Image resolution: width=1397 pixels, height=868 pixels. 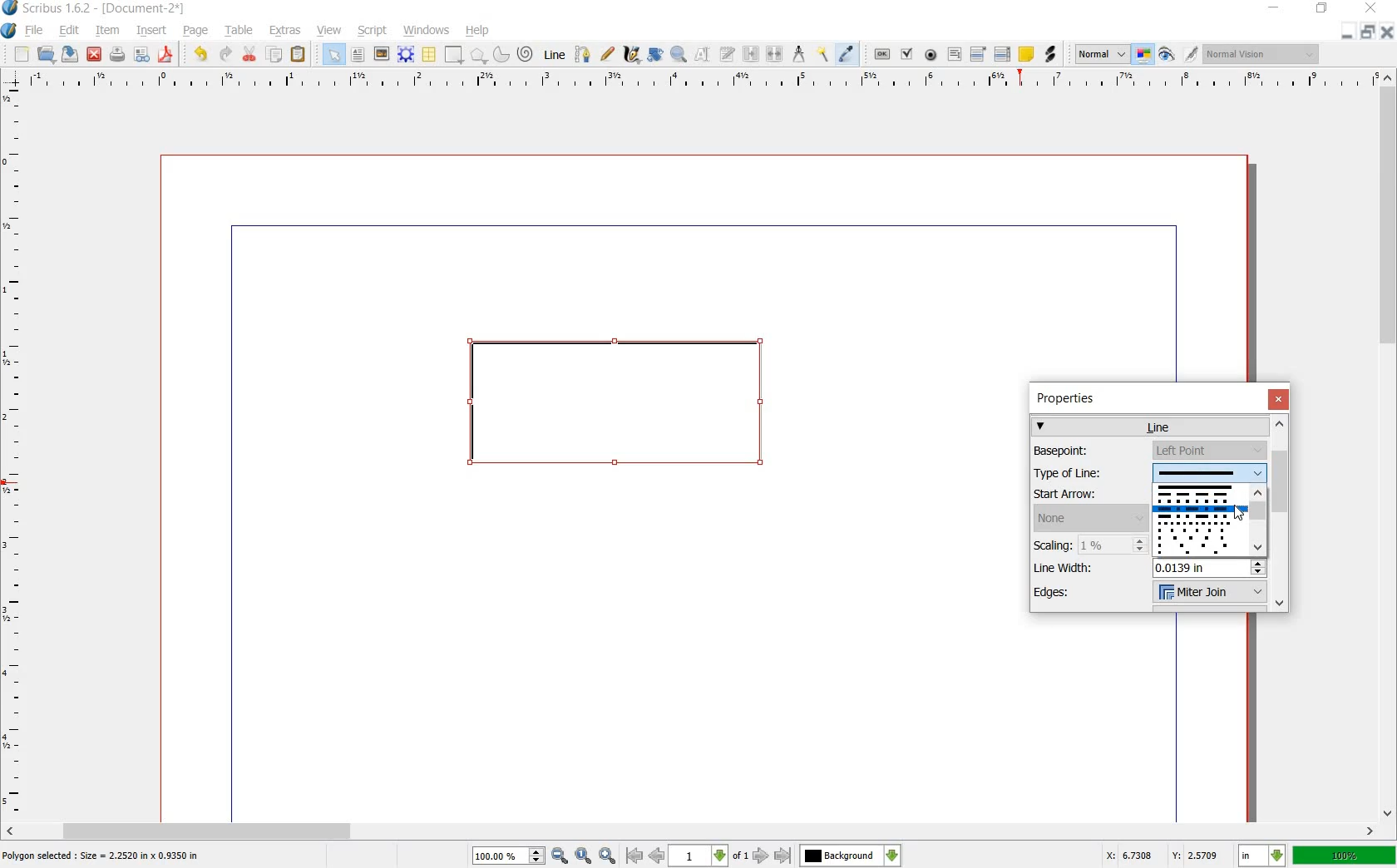 What do you see at coordinates (1193, 54) in the screenshot?
I see `EDIT IN PREVIEW MODE` at bounding box center [1193, 54].